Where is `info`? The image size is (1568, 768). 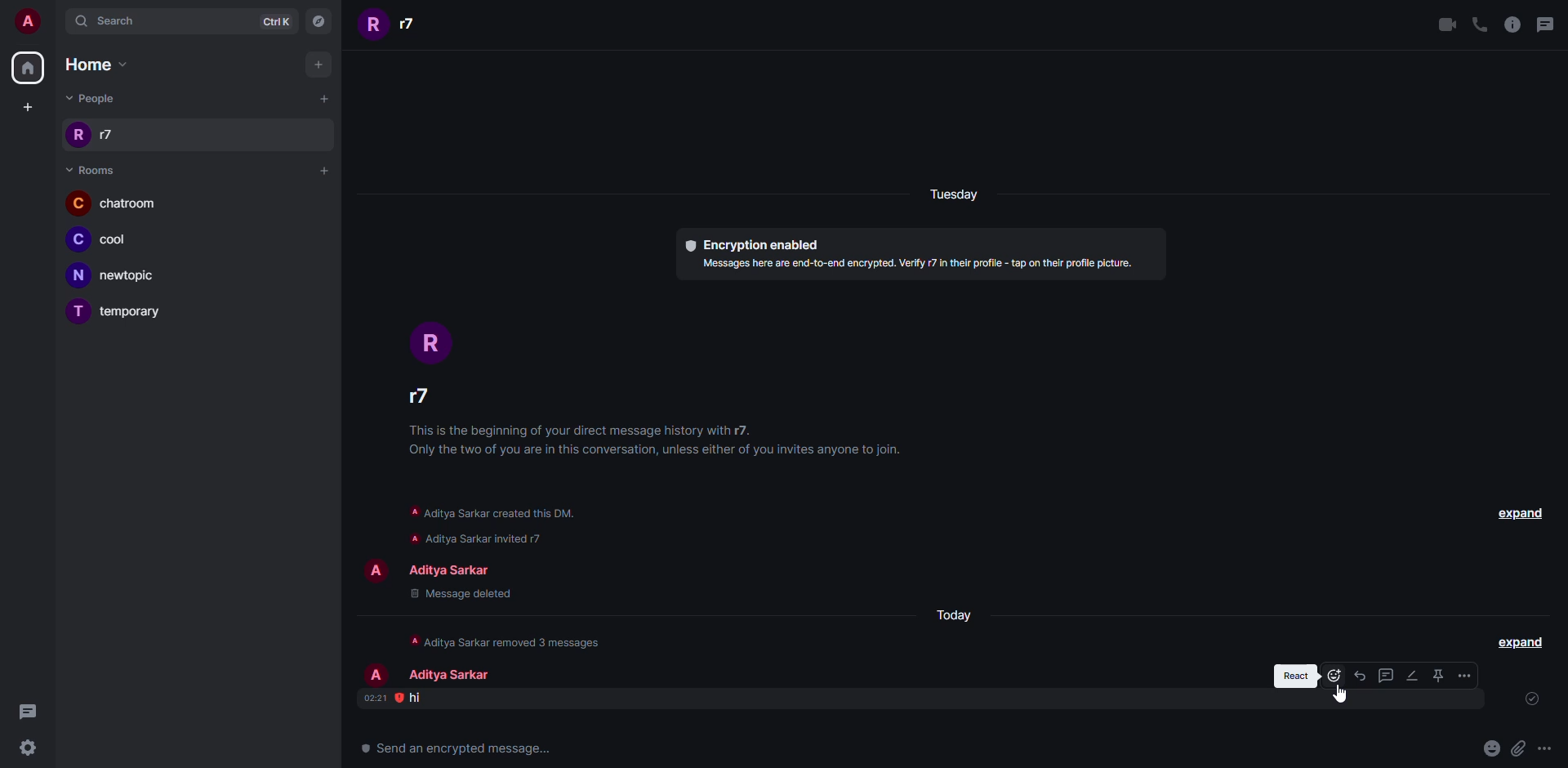 info is located at coordinates (507, 538).